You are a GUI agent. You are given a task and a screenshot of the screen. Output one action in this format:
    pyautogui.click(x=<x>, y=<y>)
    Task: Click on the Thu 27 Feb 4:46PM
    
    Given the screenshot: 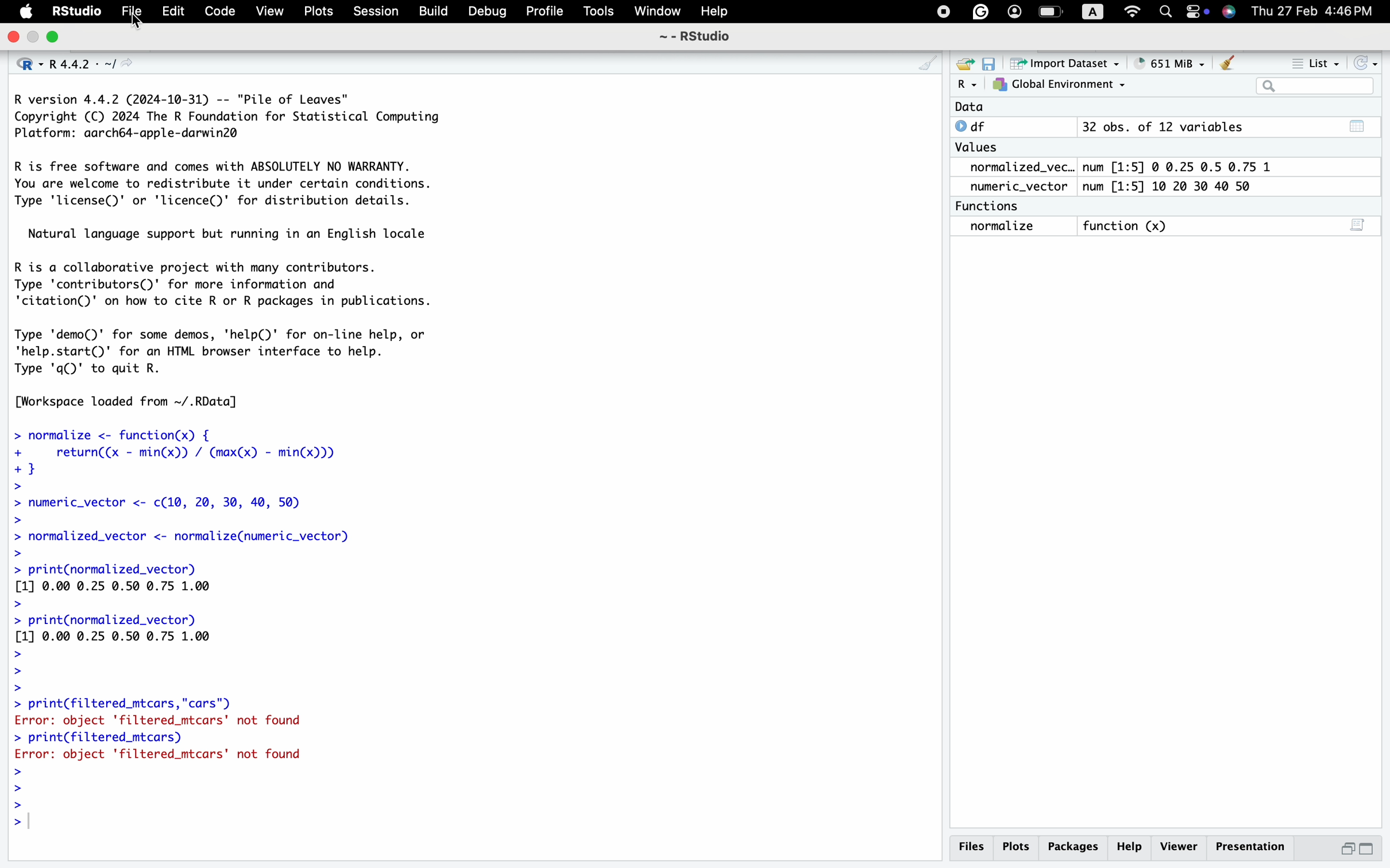 What is the action you would take?
    pyautogui.click(x=1313, y=12)
    